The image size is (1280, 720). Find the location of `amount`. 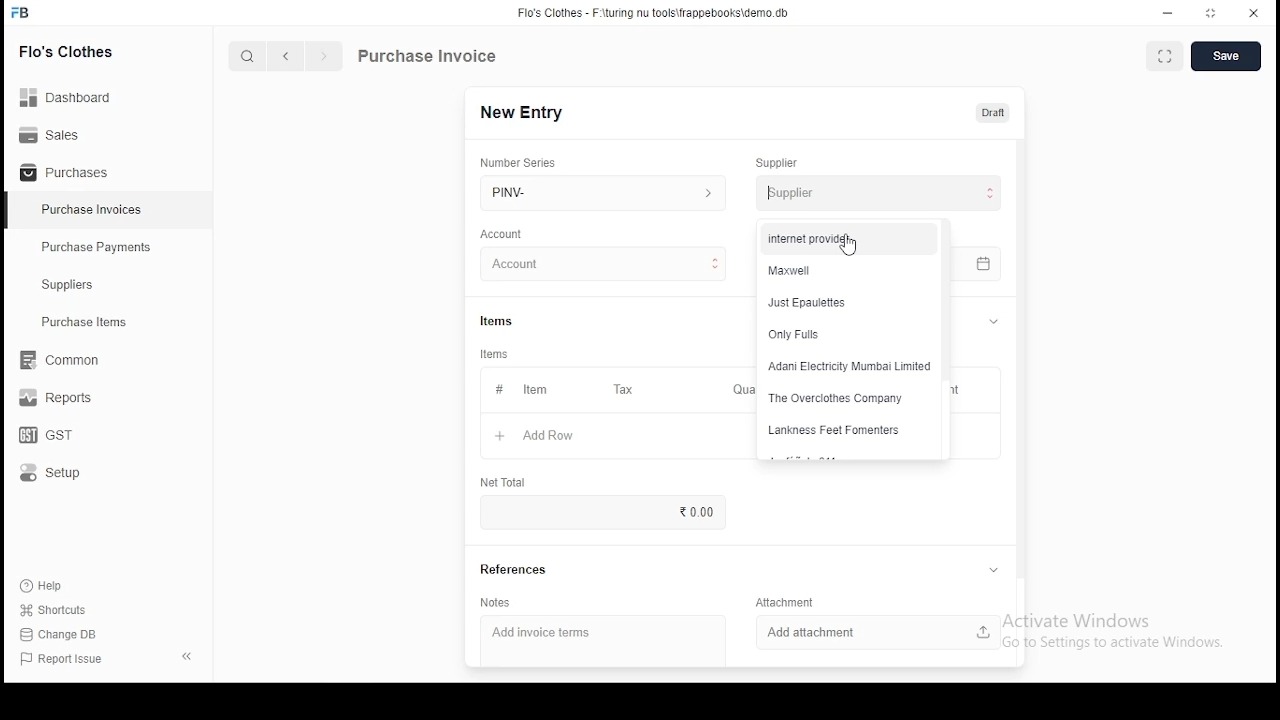

amount is located at coordinates (1068, 450).